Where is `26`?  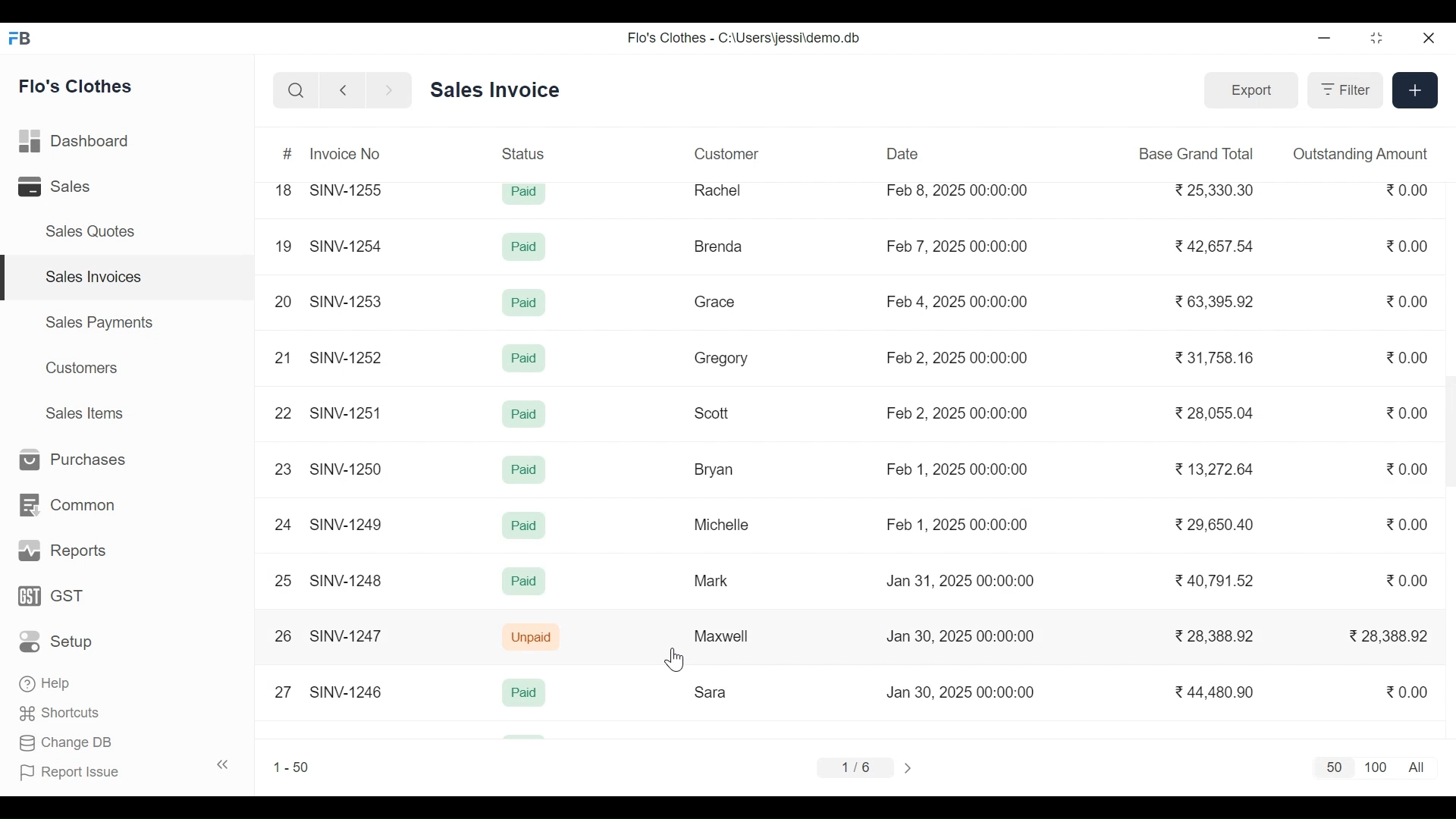 26 is located at coordinates (284, 636).